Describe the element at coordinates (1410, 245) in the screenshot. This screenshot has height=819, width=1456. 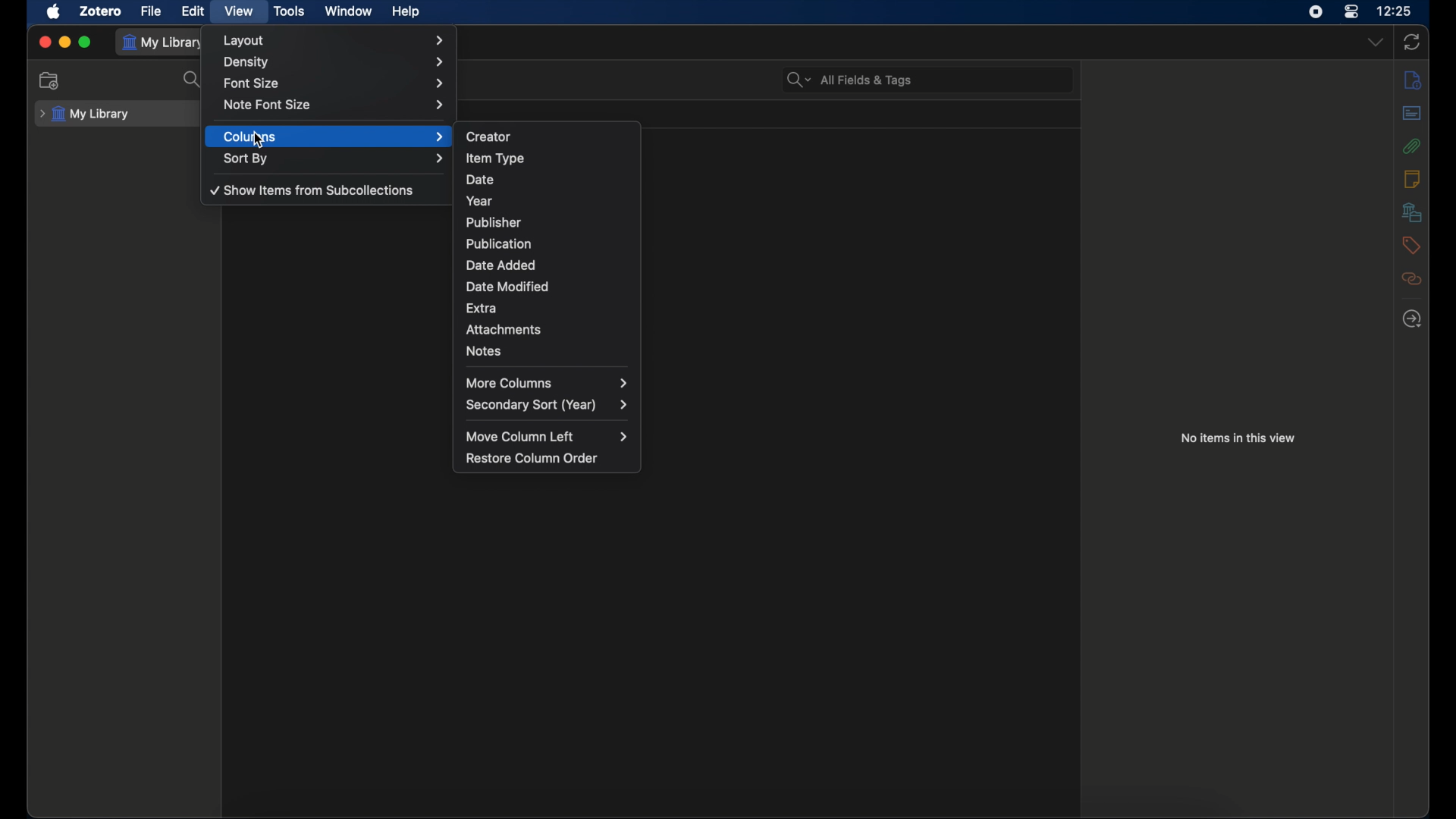
I see `tags` at that location.